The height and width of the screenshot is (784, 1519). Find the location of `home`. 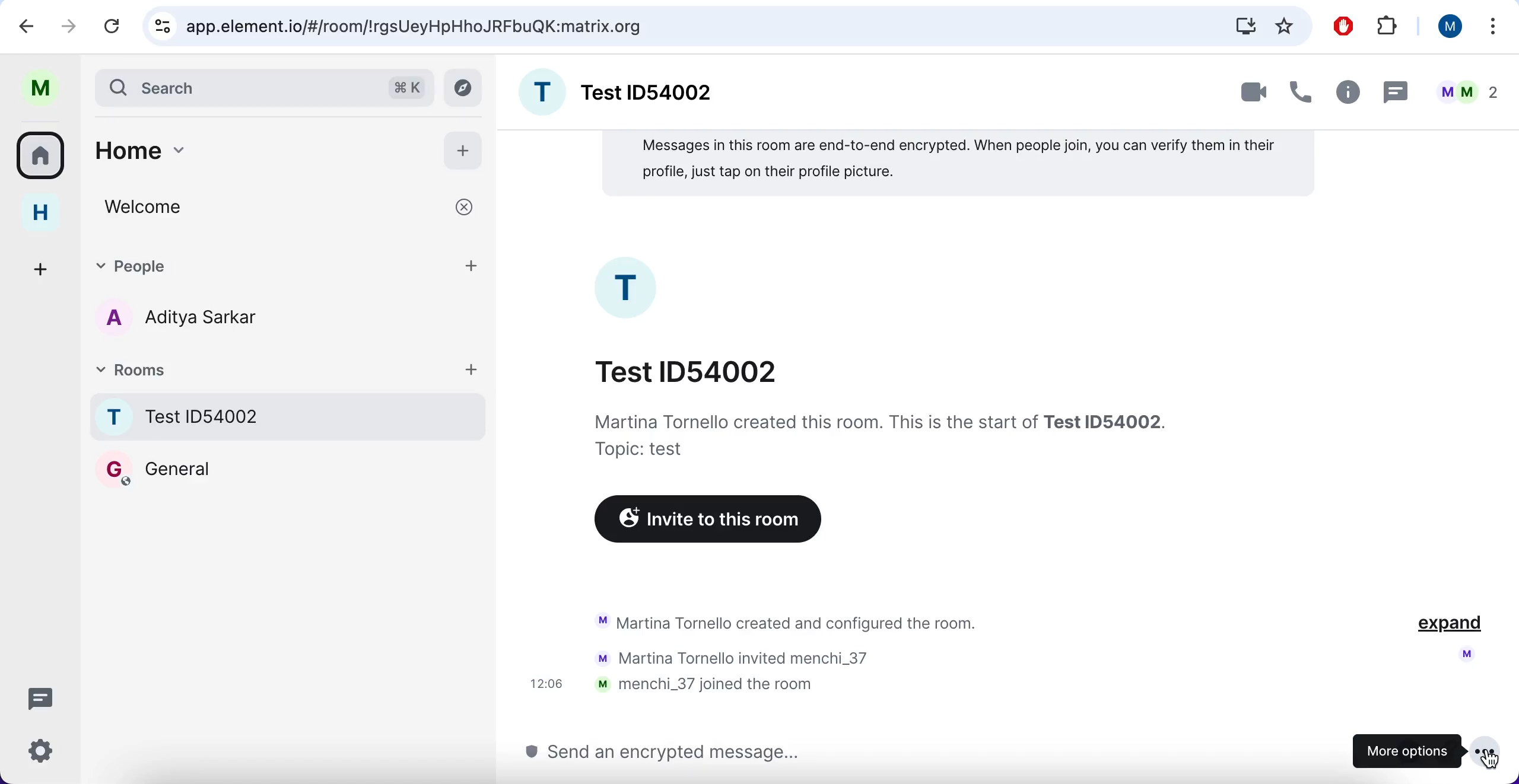

home is located at coordinates (40, 214).